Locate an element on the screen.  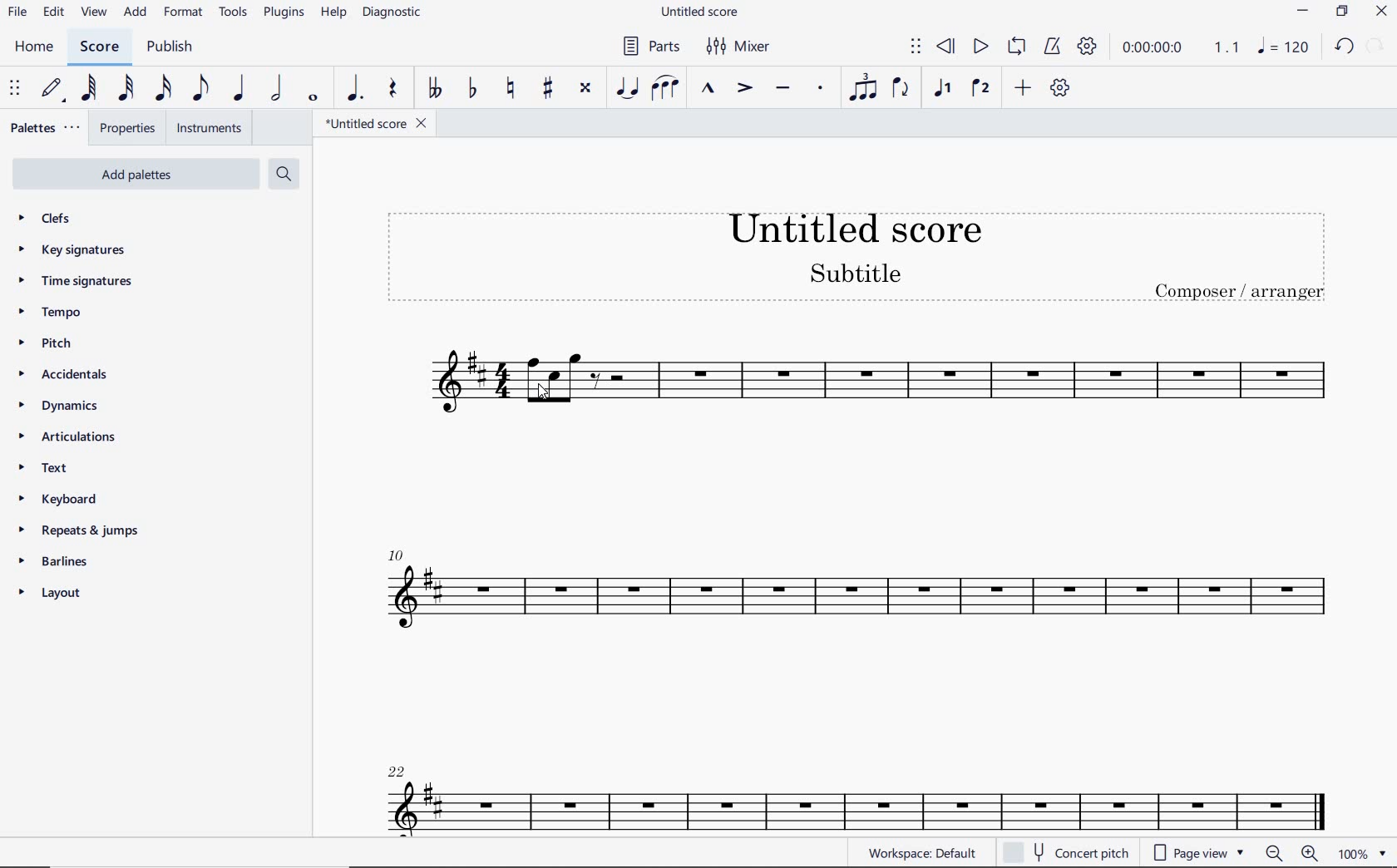
REDO is located at coordinates (1375, 46).